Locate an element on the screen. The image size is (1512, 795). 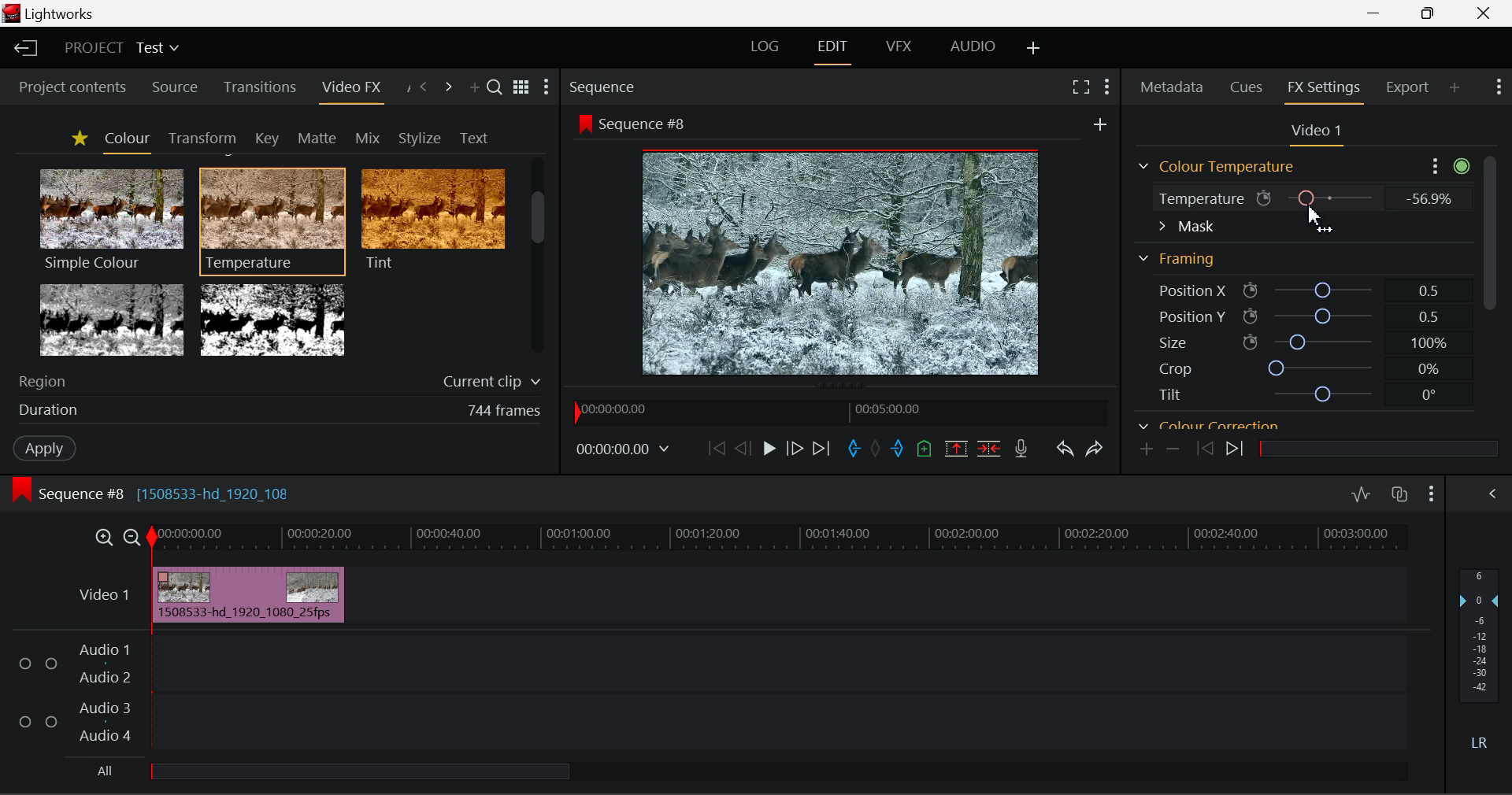
Position Y is located at coordinates (1323, 316).